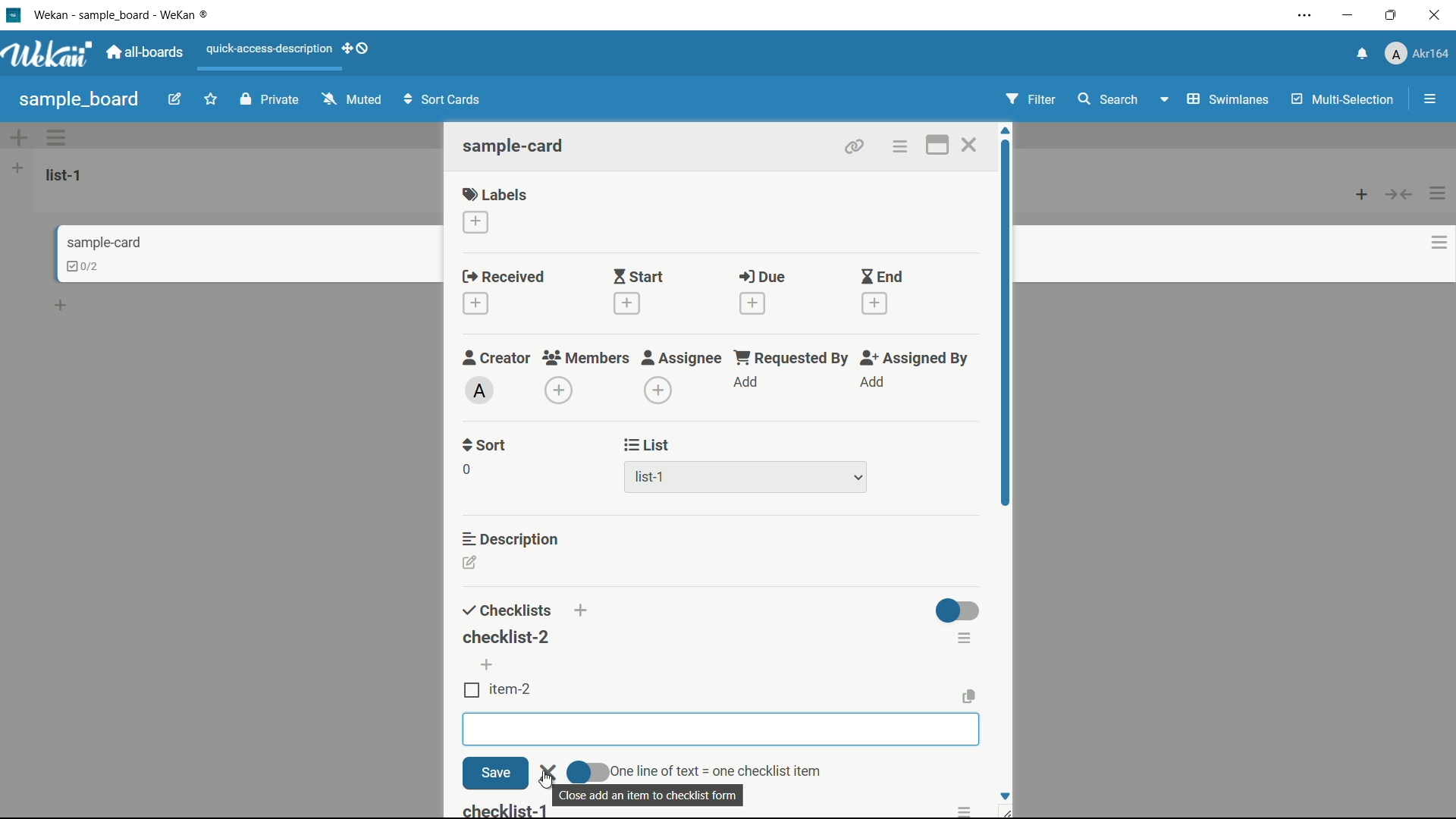  Describe the element at coordinates (475, 304) in the screenshot. I see `add date` at that location.